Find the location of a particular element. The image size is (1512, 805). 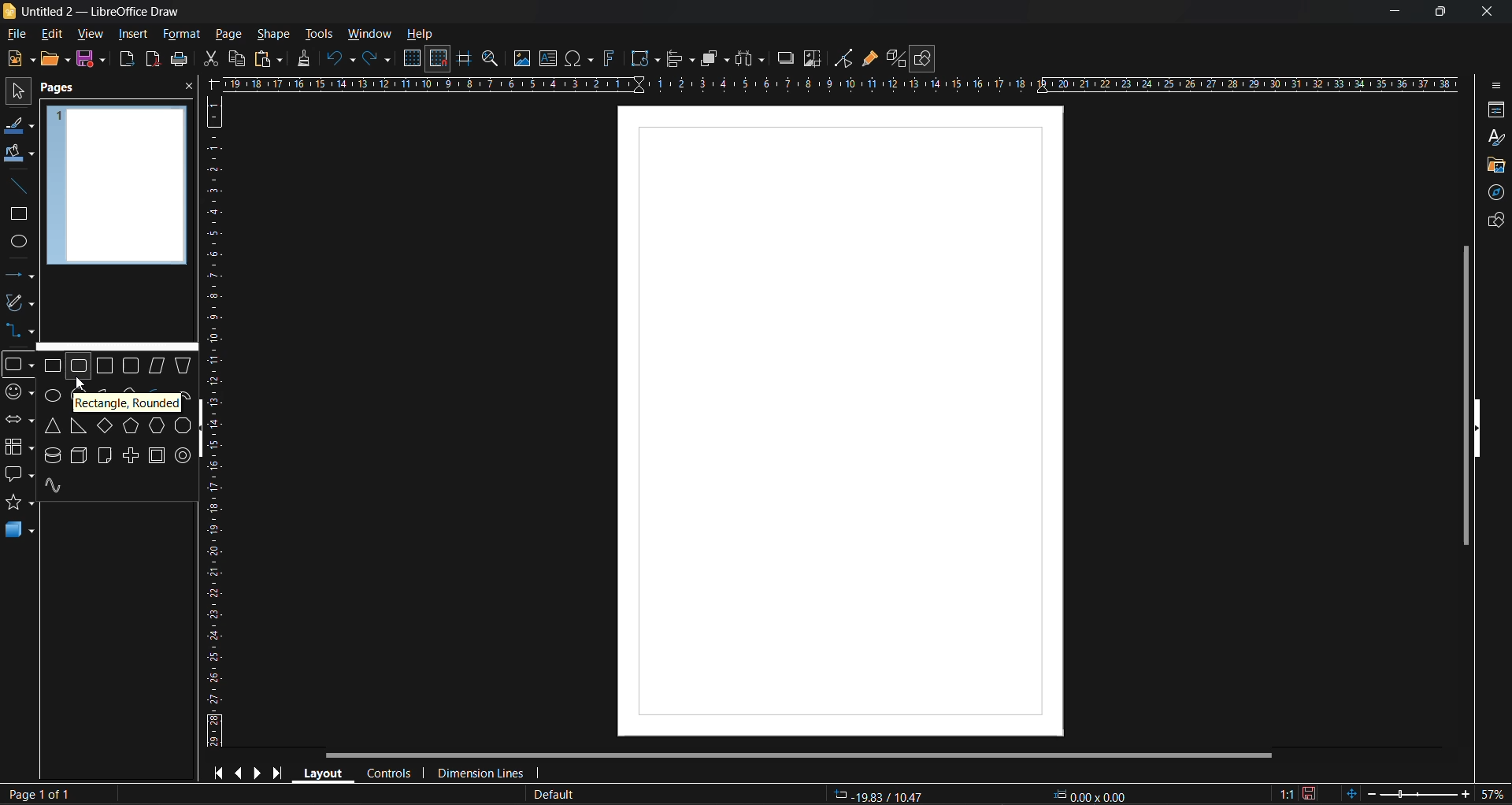

hide is located at coordinates (202, 432).